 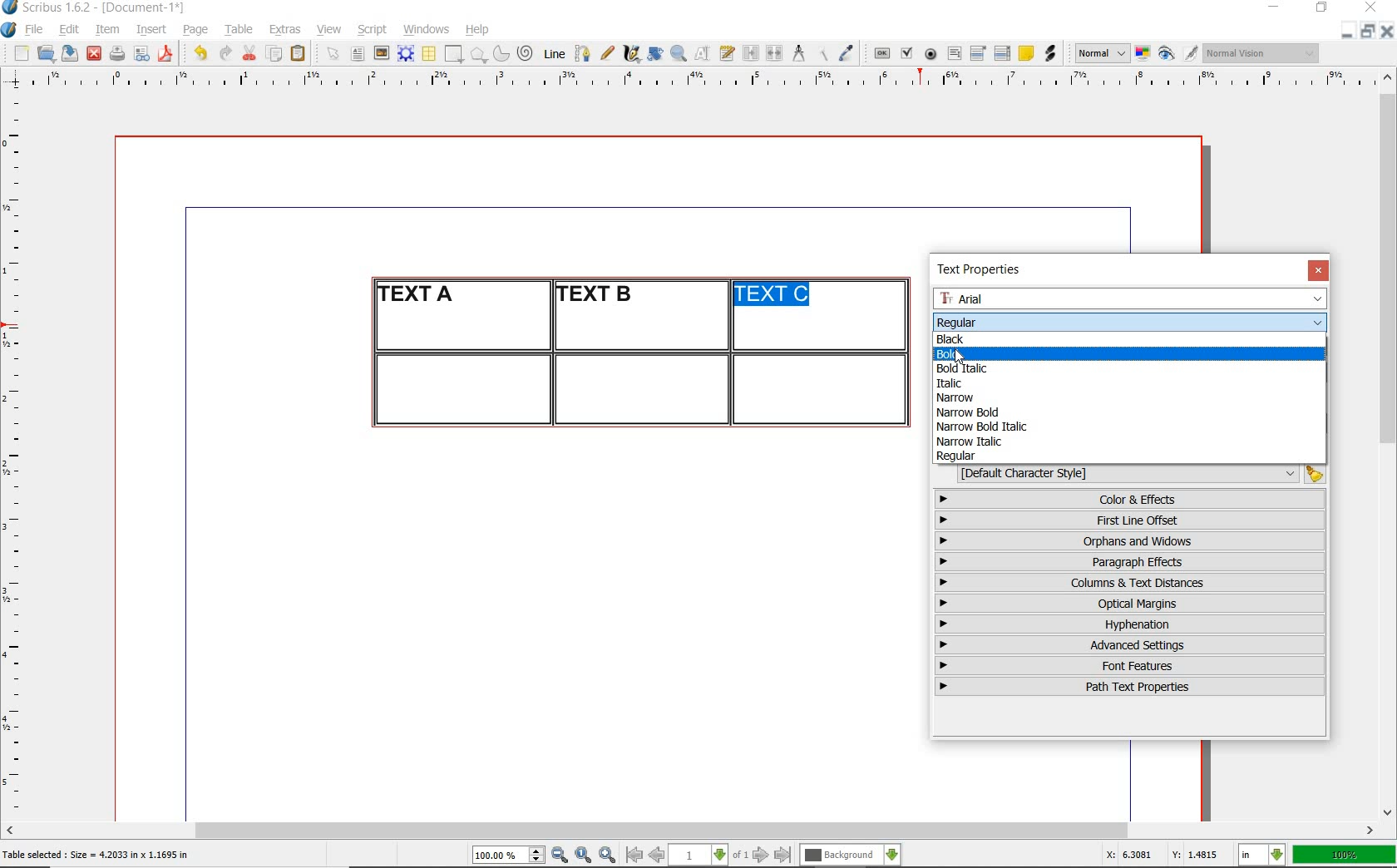 What do you see at coordinates (301, 54) in the screenshot?
I see `paste` at bounding box center [301, 54].